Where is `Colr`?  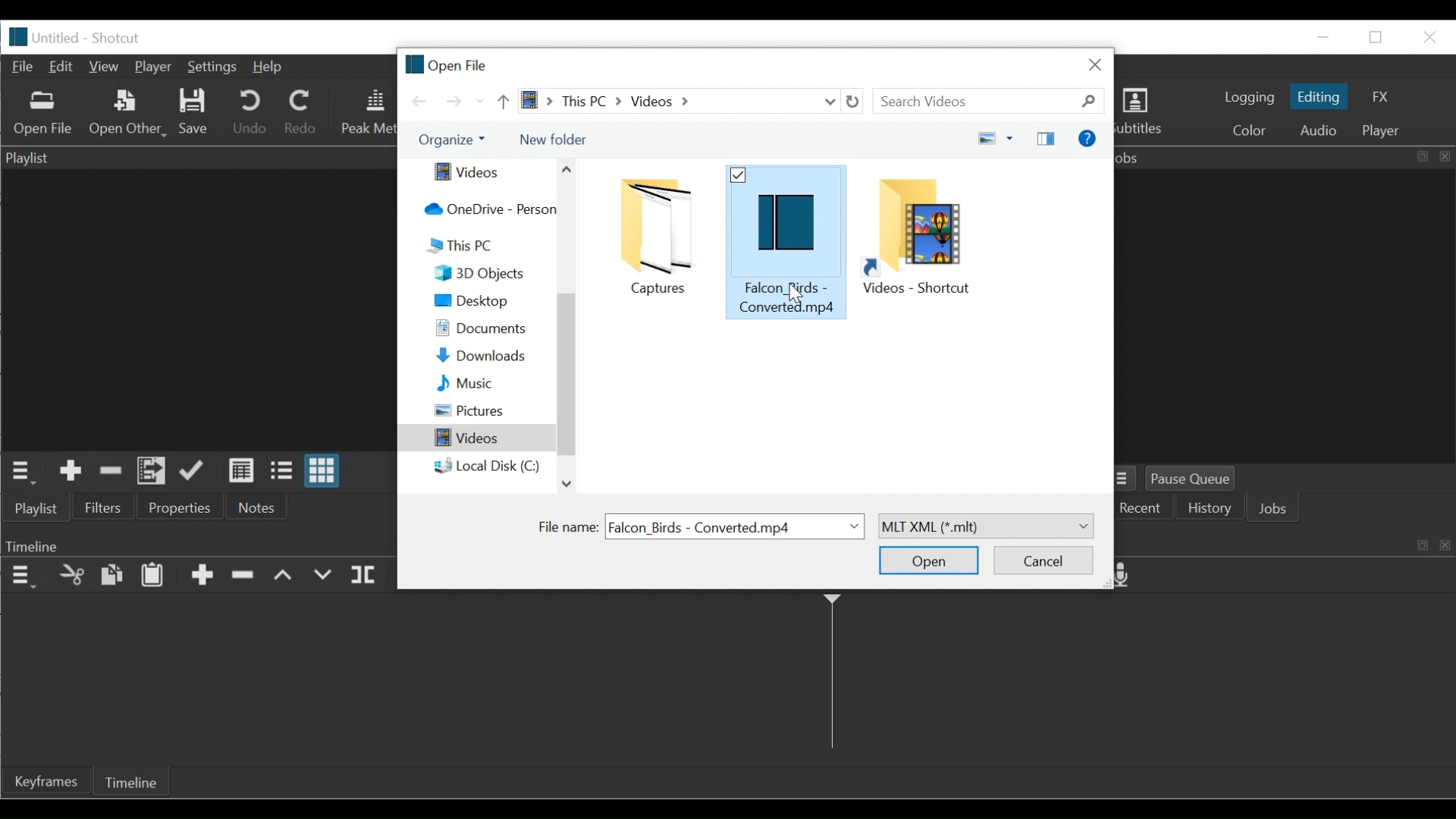 Colr is located at coordinates (1250, 129).